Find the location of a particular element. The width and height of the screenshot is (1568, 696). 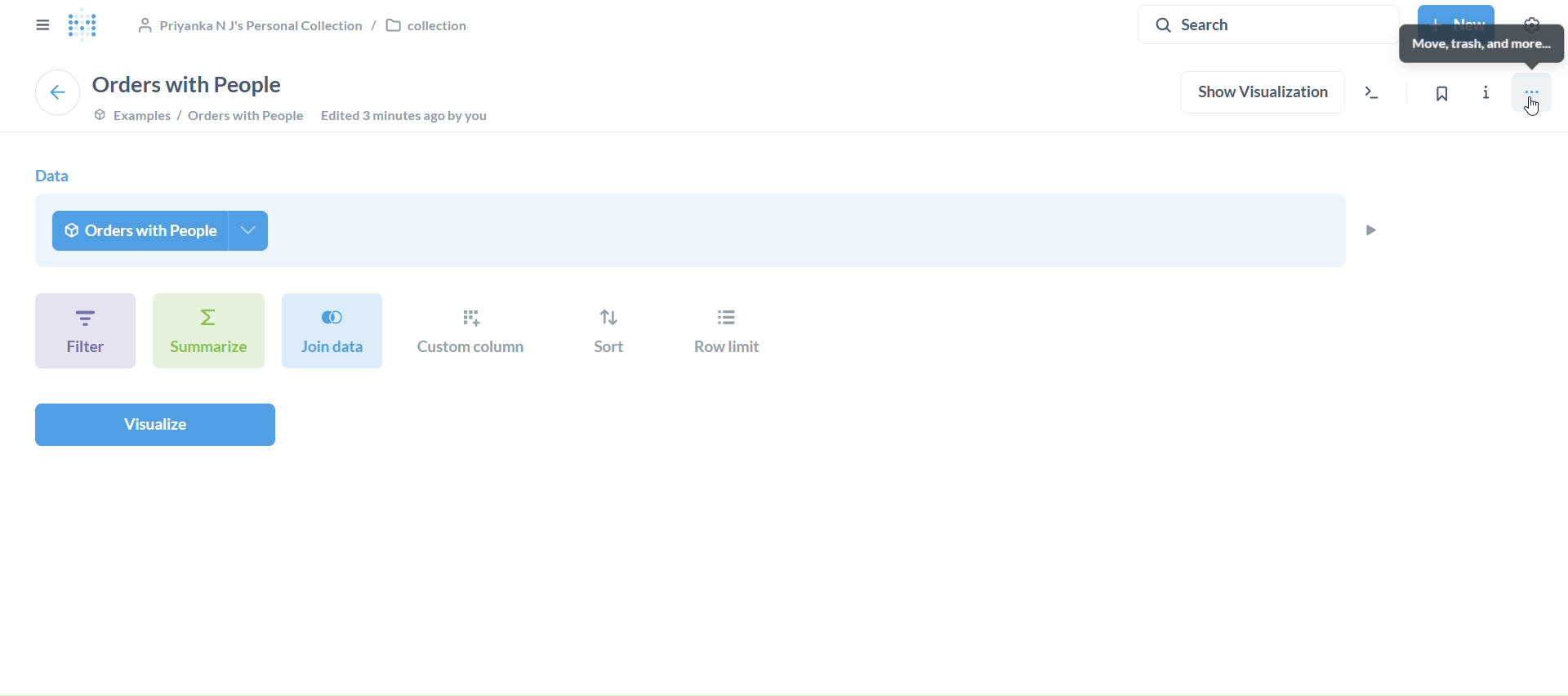

view the sql is located at coordinates (1372, 92).